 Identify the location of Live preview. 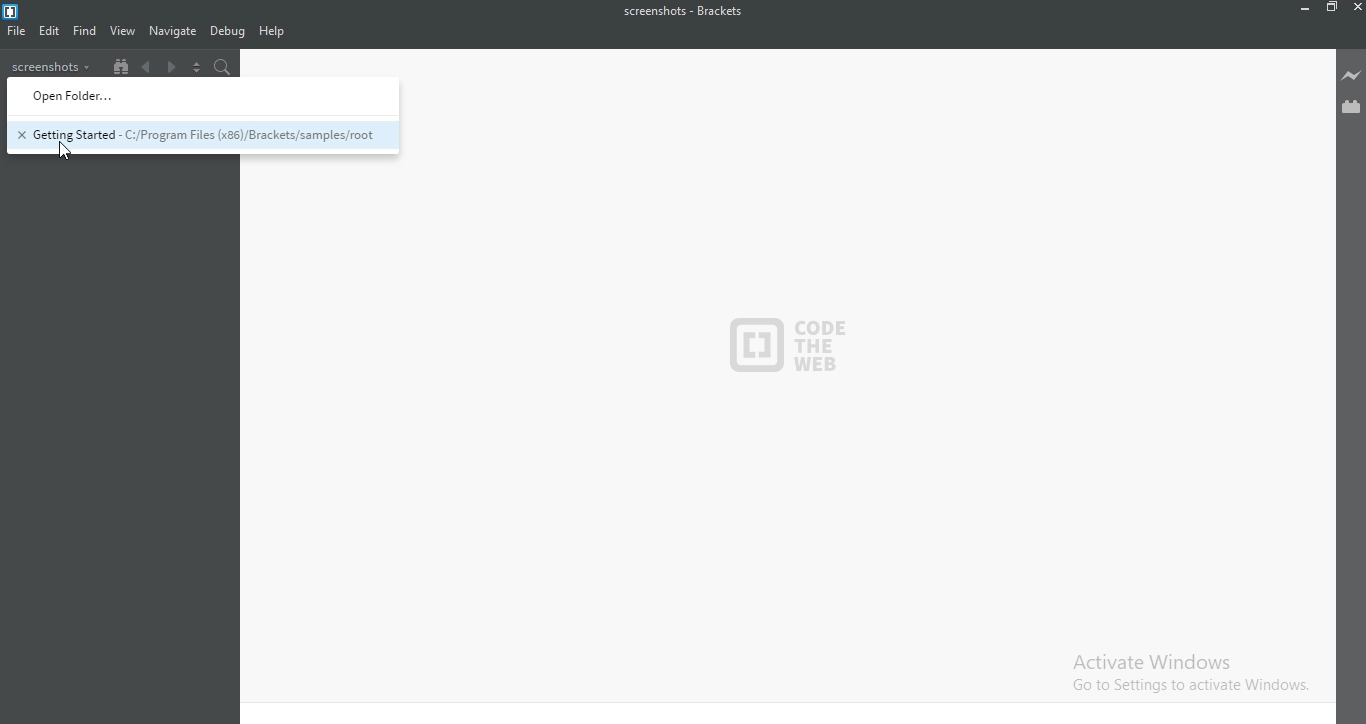
(1350, 76).